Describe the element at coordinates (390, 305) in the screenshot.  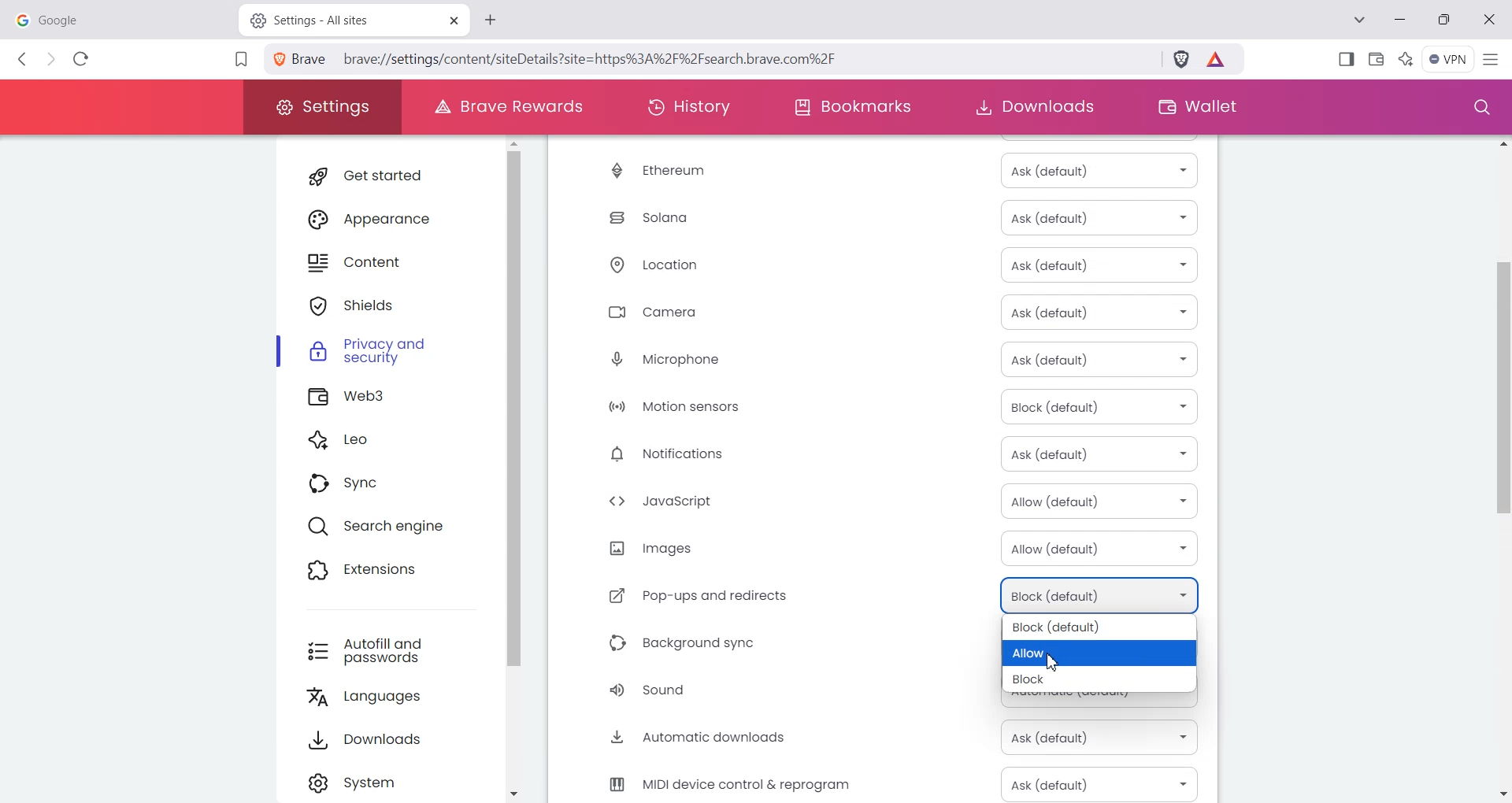
I see `Shields` at that location.